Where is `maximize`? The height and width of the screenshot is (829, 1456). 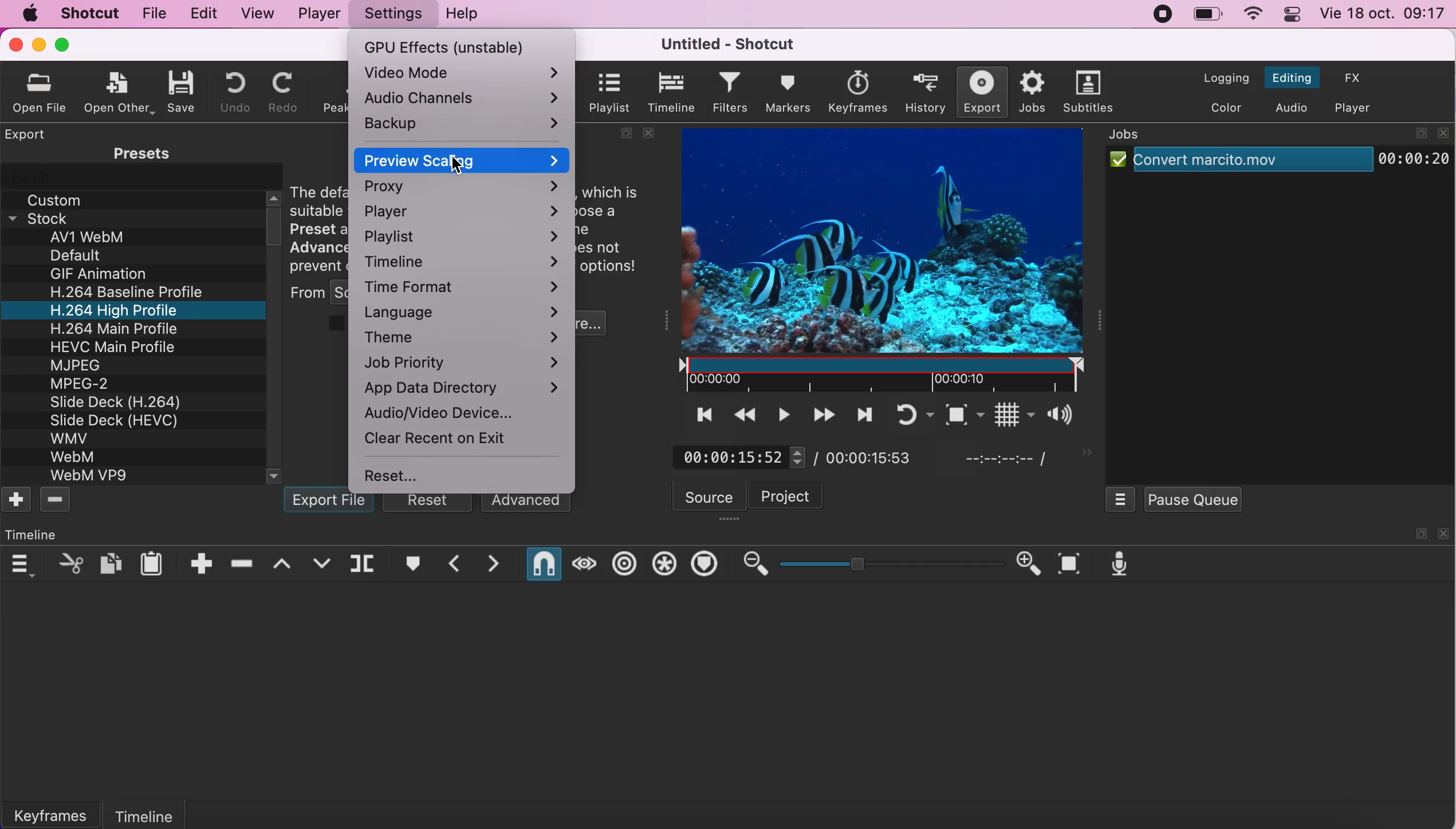
maximize is located at coordinates (623, 135).